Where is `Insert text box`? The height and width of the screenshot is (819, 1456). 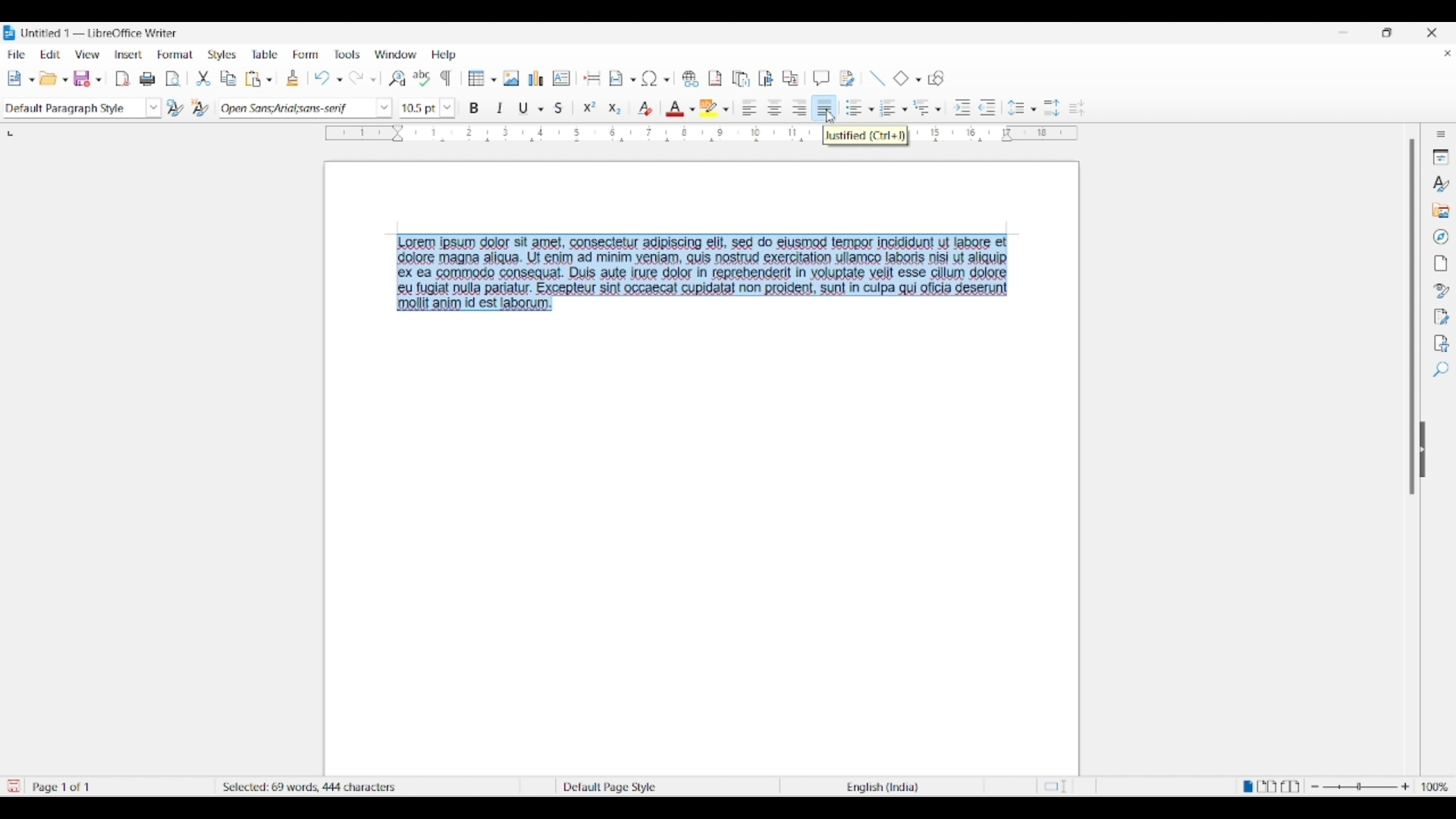 Insert text box is located at coordinates (562, 78).